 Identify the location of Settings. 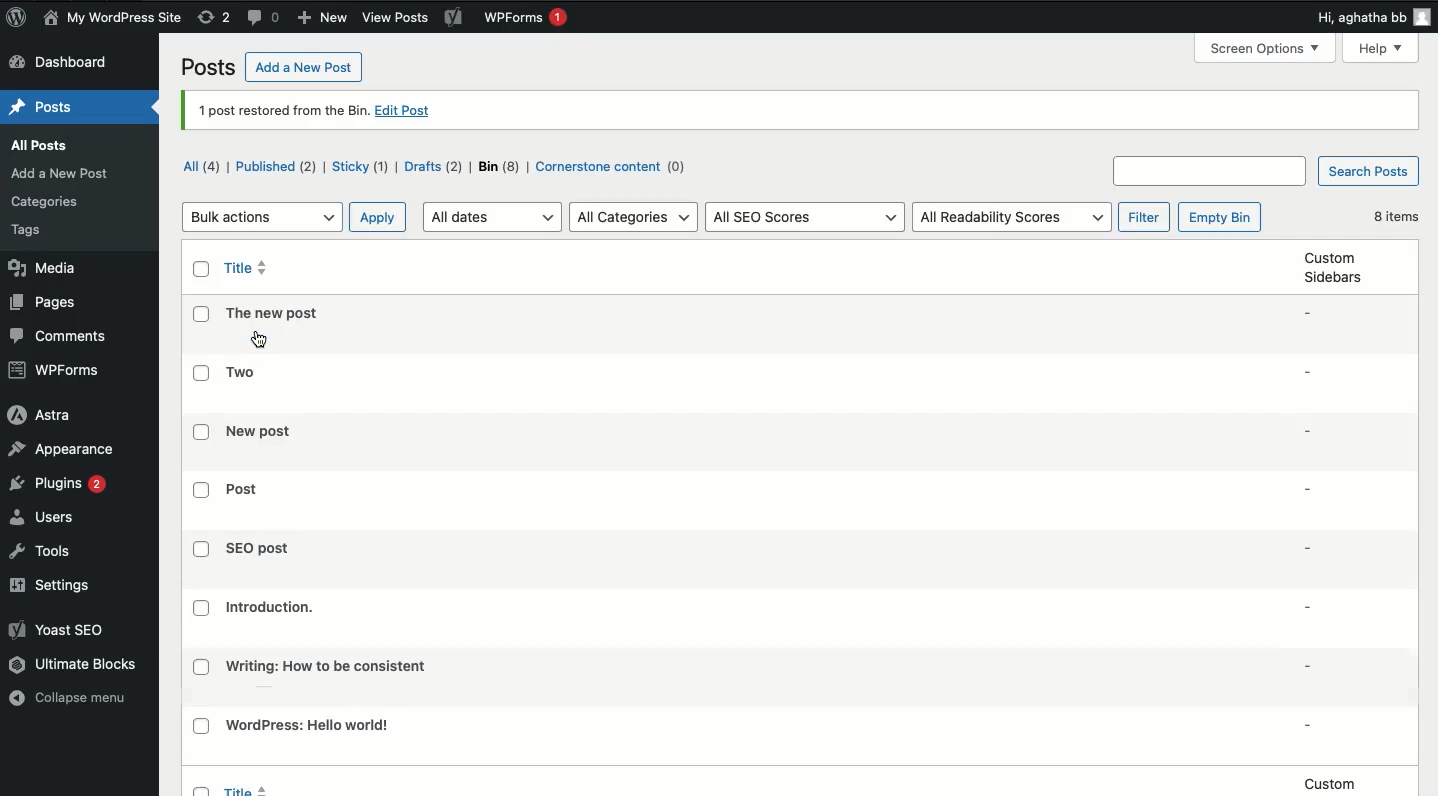
(55, 584).